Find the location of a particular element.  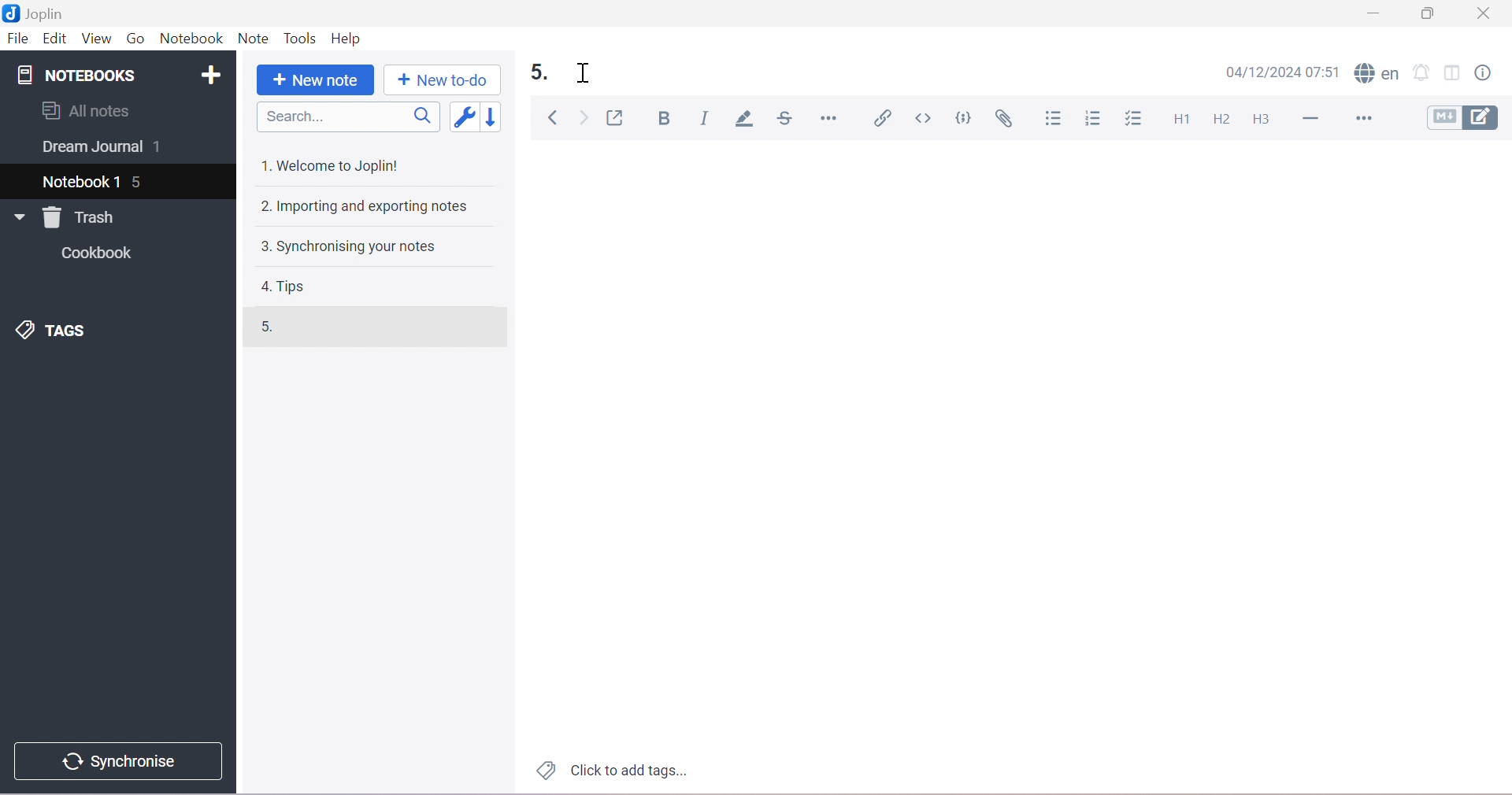

Bulleted list is located at coordinates (1055, 119).